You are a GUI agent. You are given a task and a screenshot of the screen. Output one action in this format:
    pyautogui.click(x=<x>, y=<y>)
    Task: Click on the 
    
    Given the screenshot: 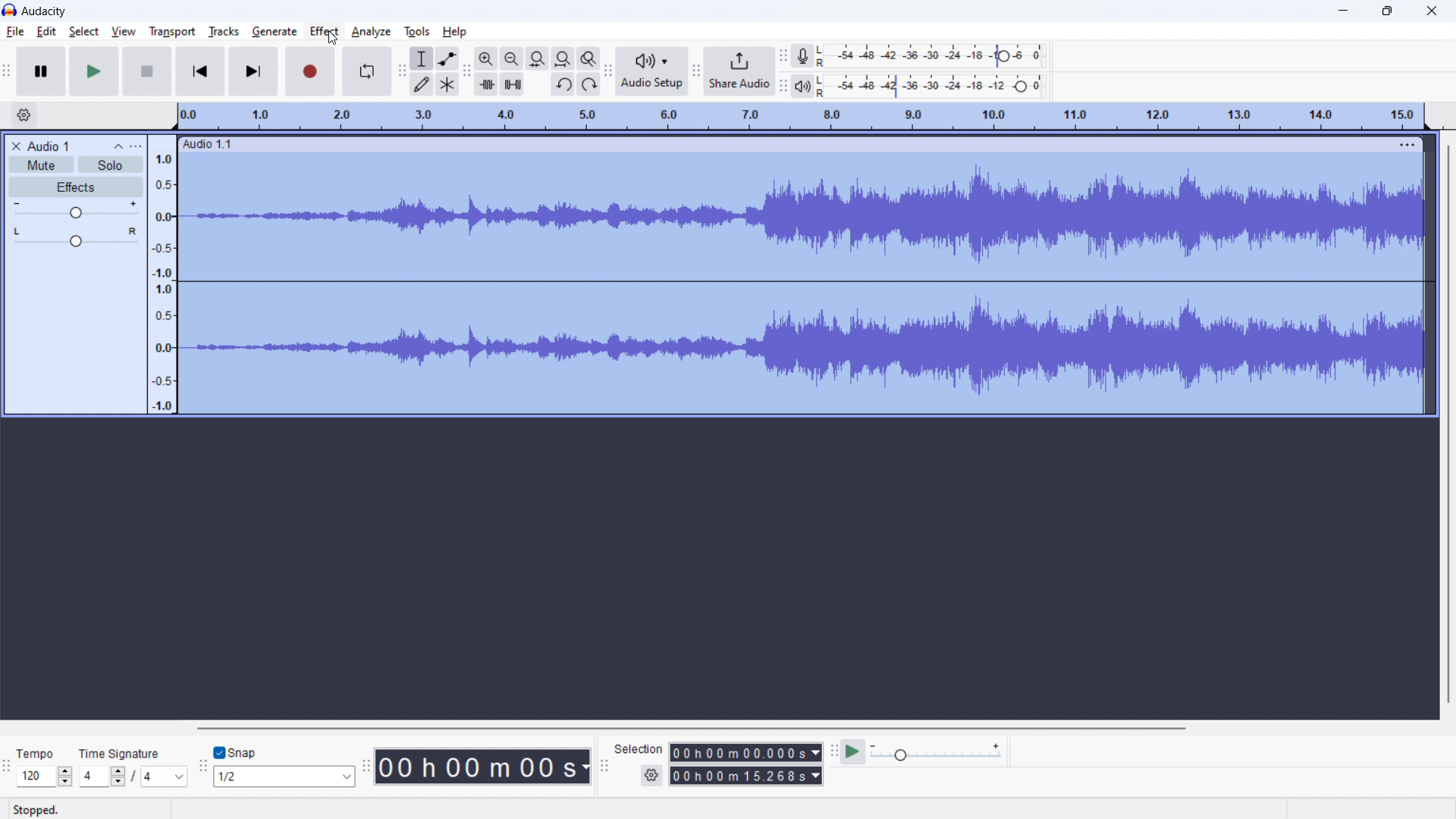 What is the action you would take?
    pyautogui.click(x=401, y=71)
    